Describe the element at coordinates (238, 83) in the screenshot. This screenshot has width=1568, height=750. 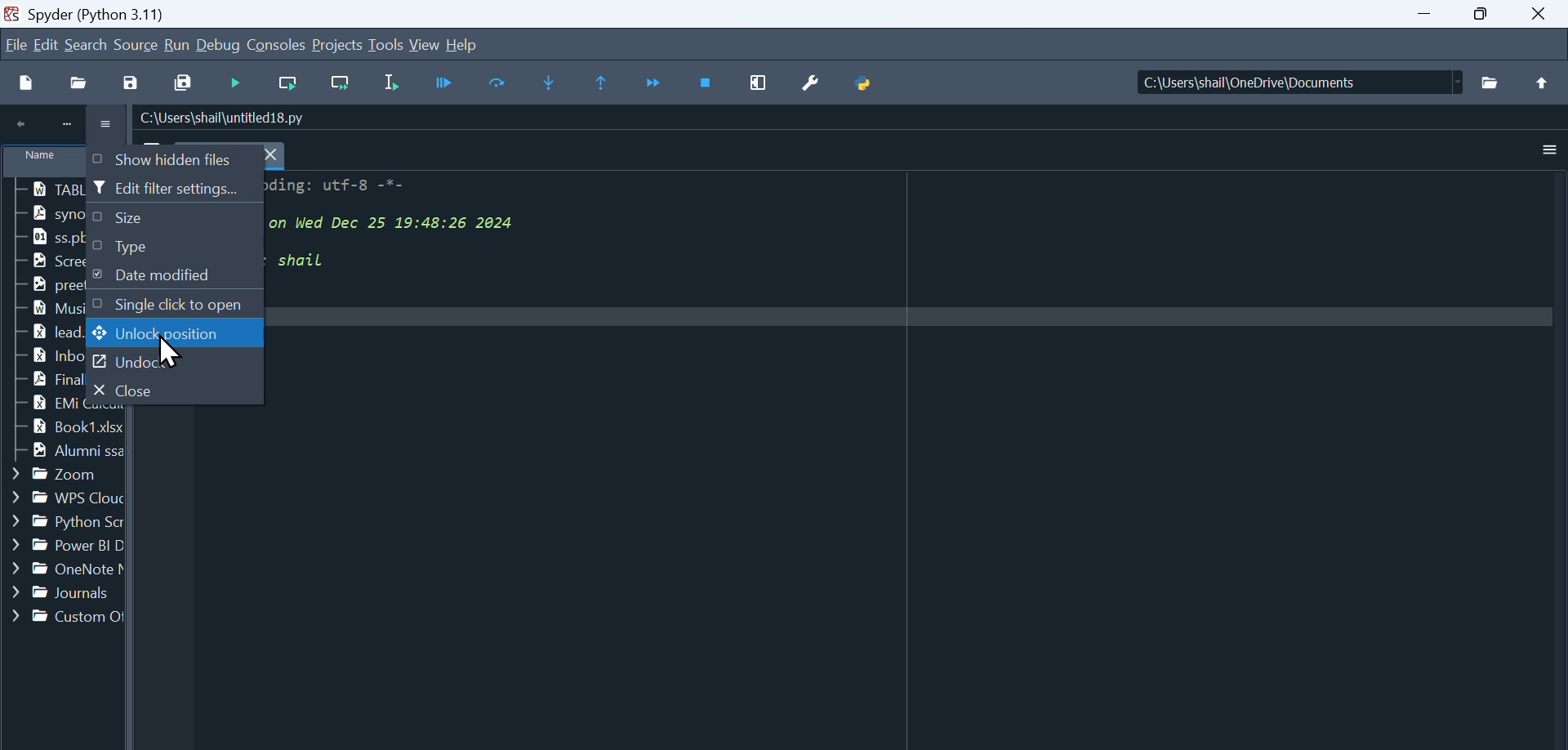
I see `Run file` at that location.